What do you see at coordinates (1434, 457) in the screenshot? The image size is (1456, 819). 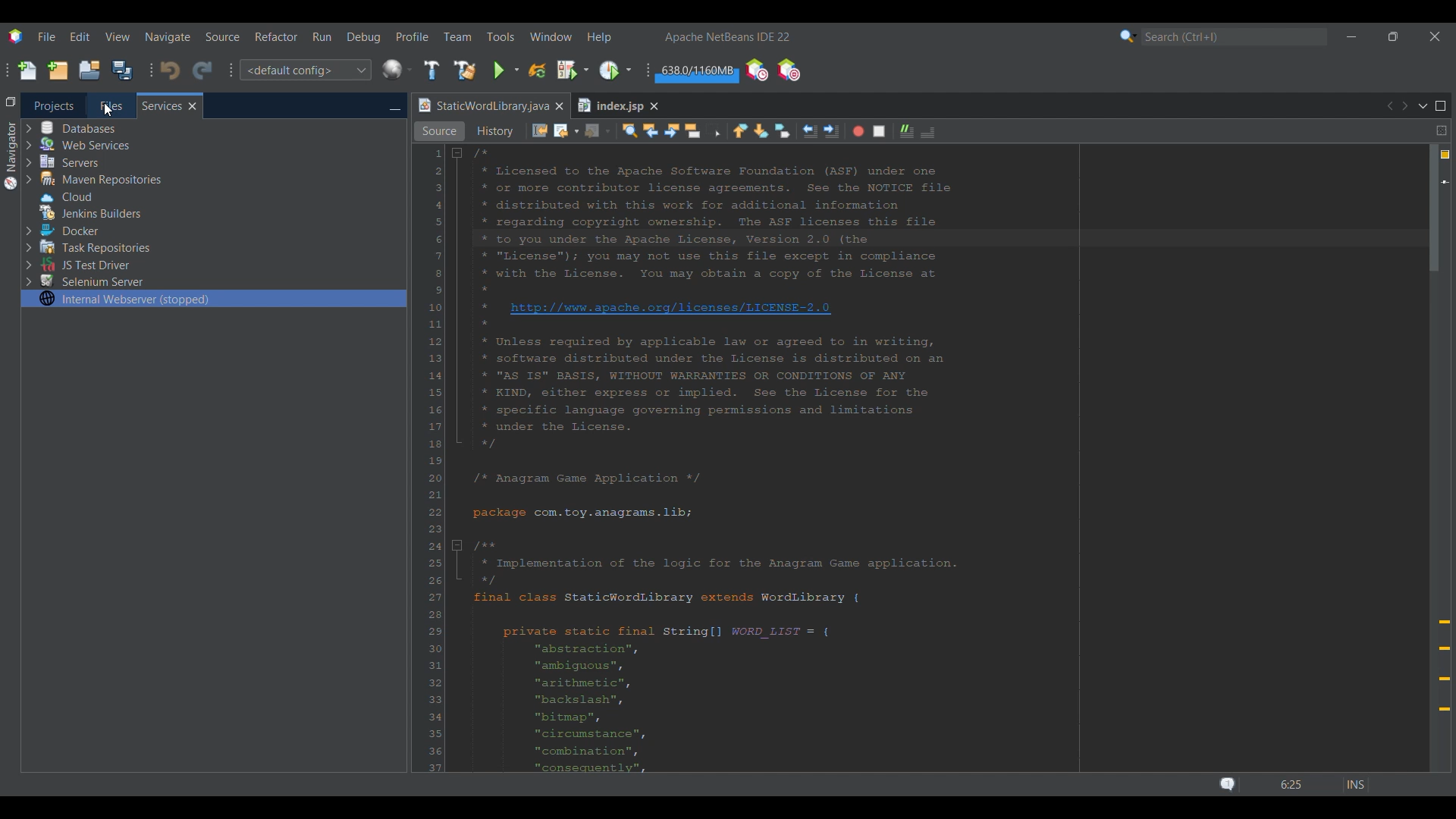 I see `Vertical slide bar` at bounding box center [1434, 457].